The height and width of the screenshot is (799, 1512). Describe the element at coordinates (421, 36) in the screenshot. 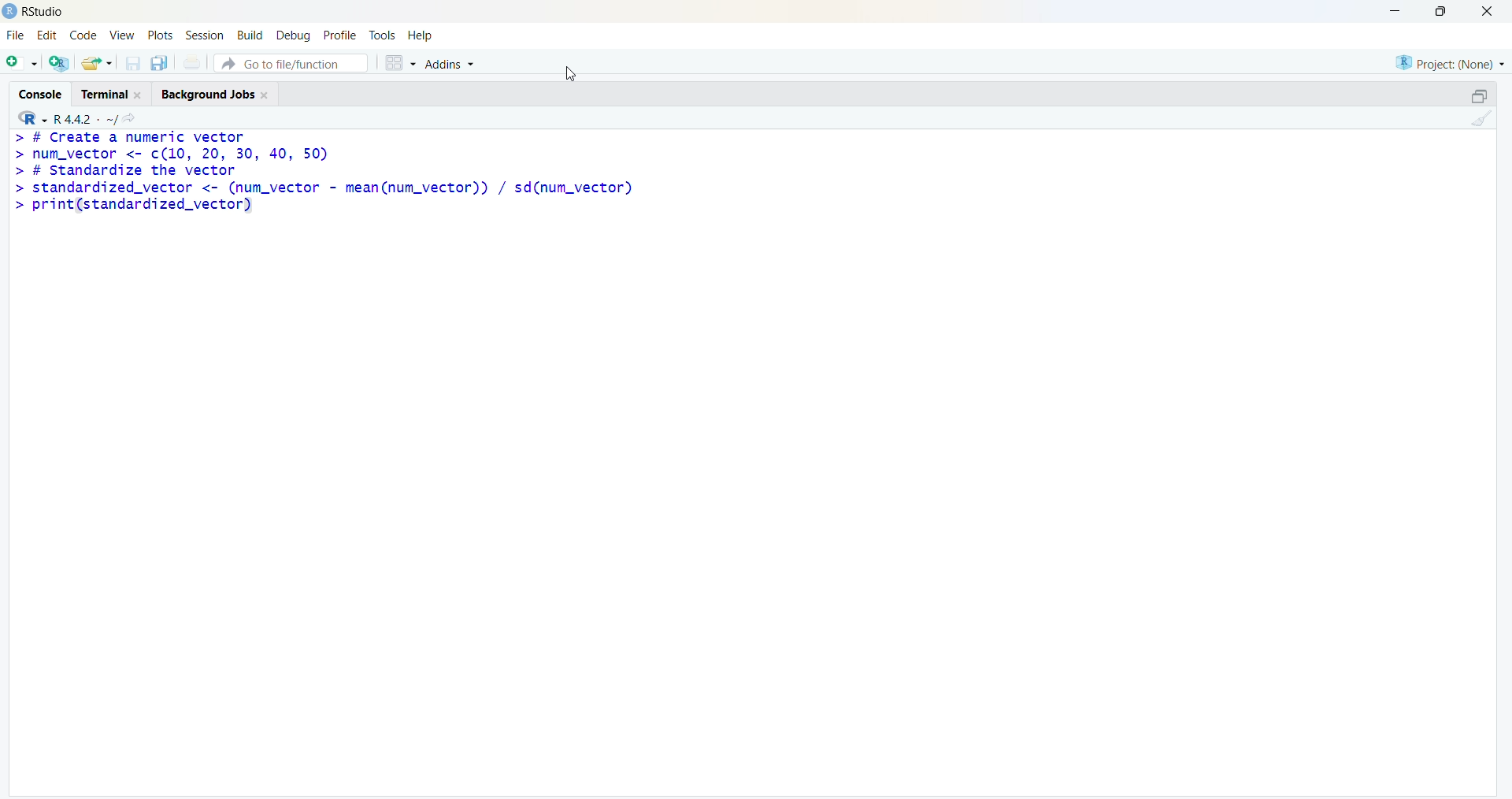

I see `help` at that location.